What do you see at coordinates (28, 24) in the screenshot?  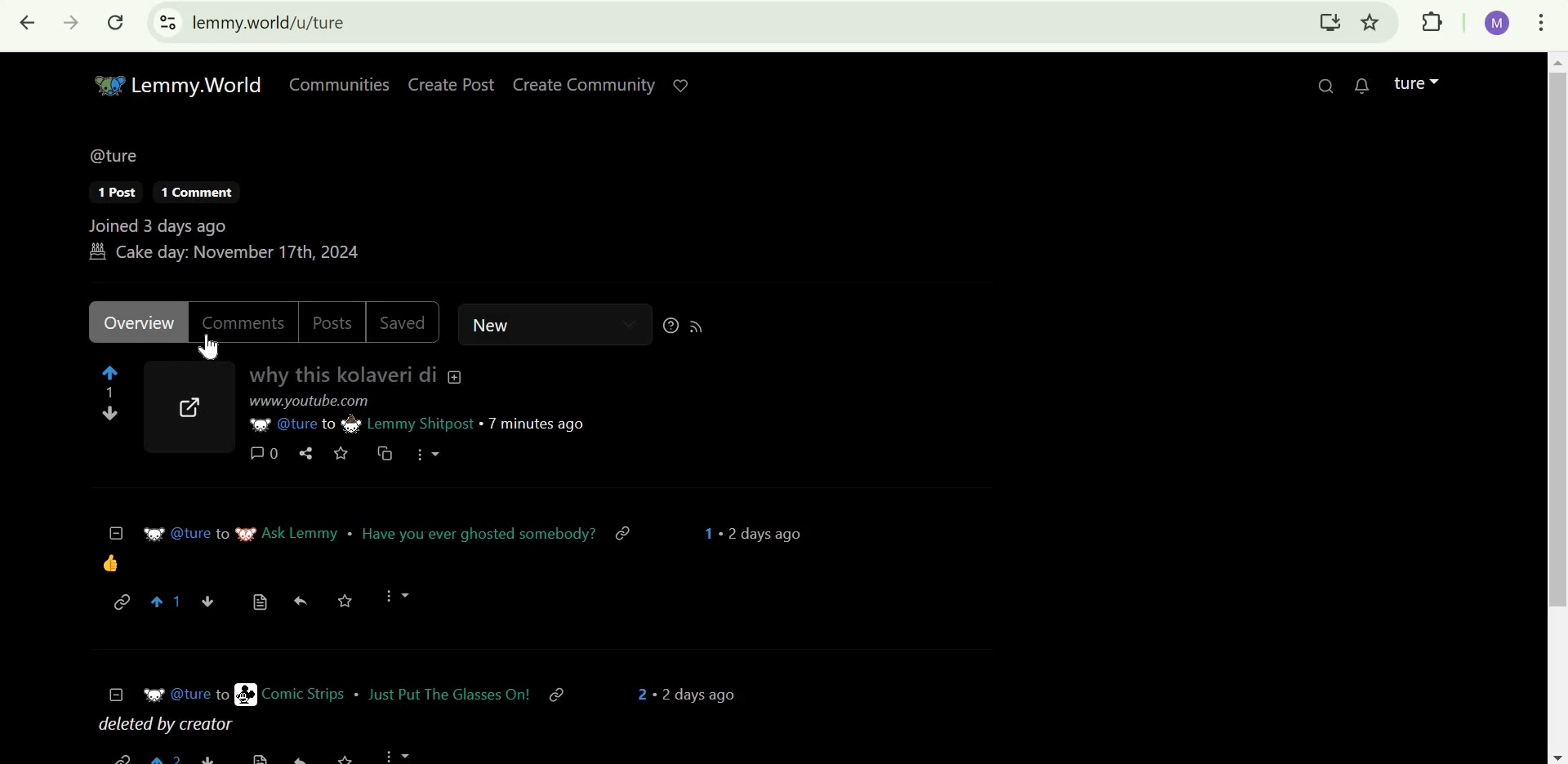 I see `click to go back, hold to see history` at bounding box center [28, 24].